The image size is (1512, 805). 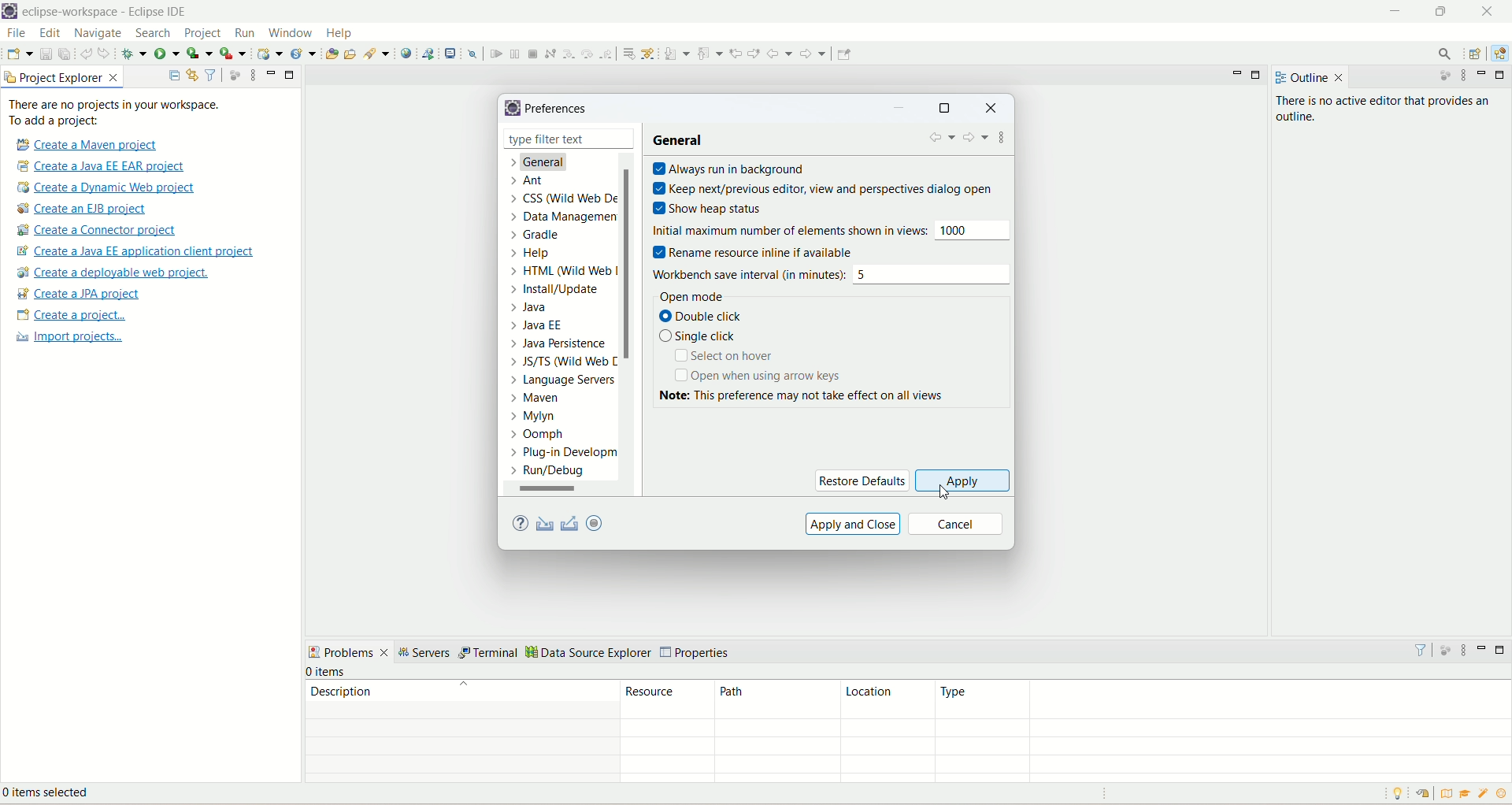 What do you see at coordinates (193, 75) in the screenshot?
I see `link with editor` at bounding box center [193, 75].